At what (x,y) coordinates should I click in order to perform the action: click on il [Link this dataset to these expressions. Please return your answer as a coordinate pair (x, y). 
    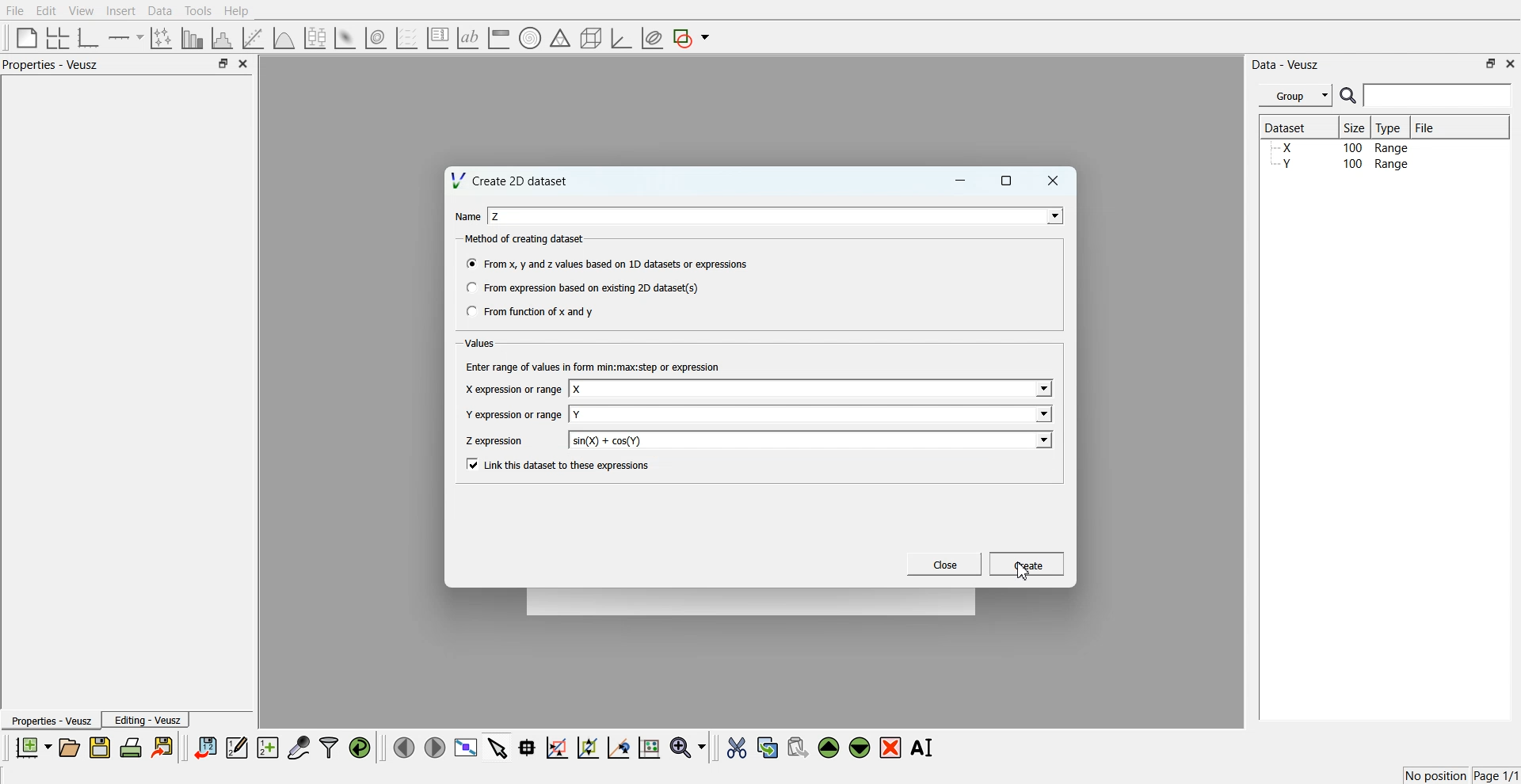
    Looking at the image, I should click on (559, 464).